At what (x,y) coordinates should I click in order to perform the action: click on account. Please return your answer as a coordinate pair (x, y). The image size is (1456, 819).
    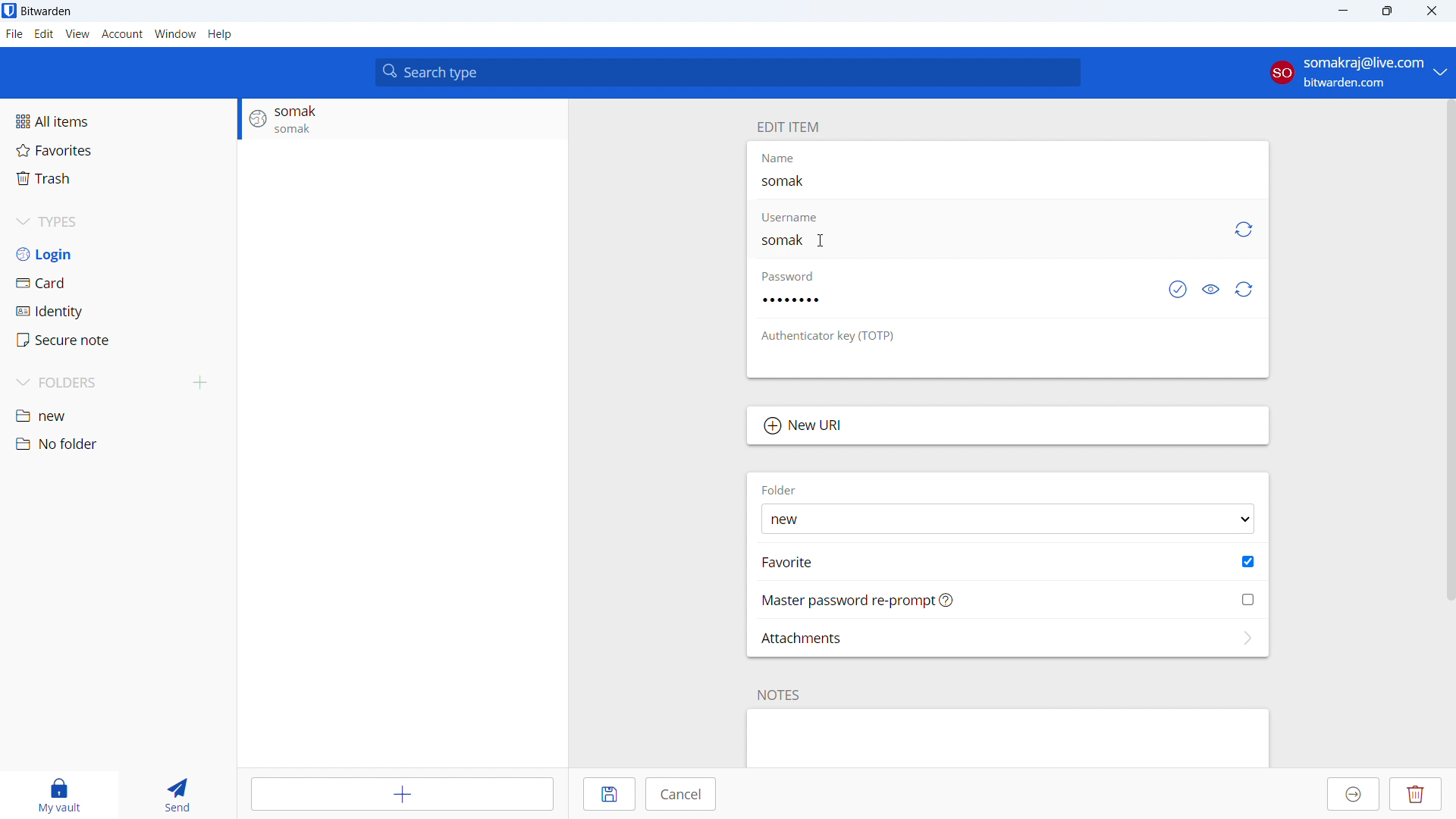
    Looking at the image, I should click on (1356, 71).